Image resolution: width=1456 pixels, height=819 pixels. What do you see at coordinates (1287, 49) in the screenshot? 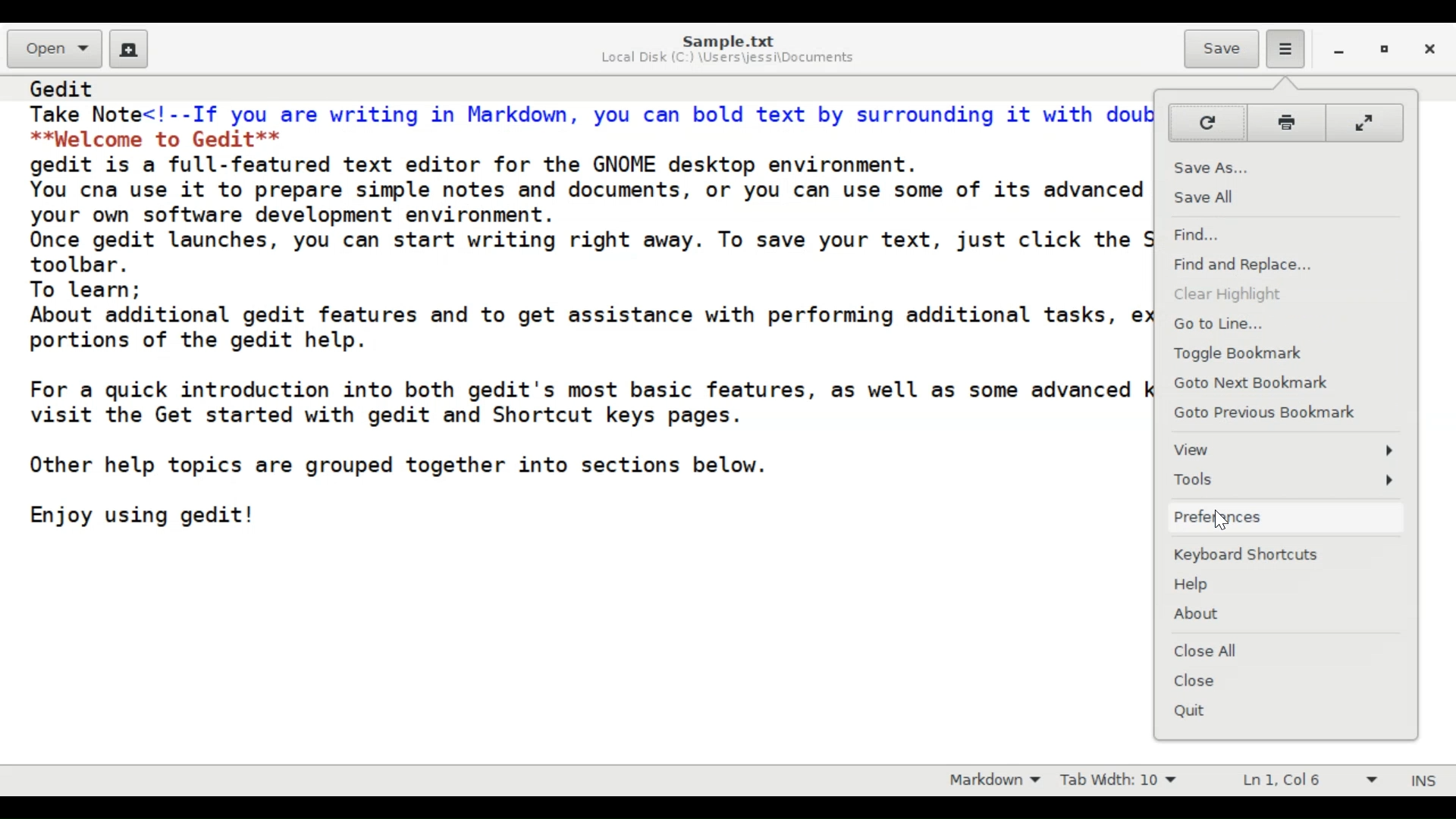
I see `Application menu` at bounding box center [1287, 49].